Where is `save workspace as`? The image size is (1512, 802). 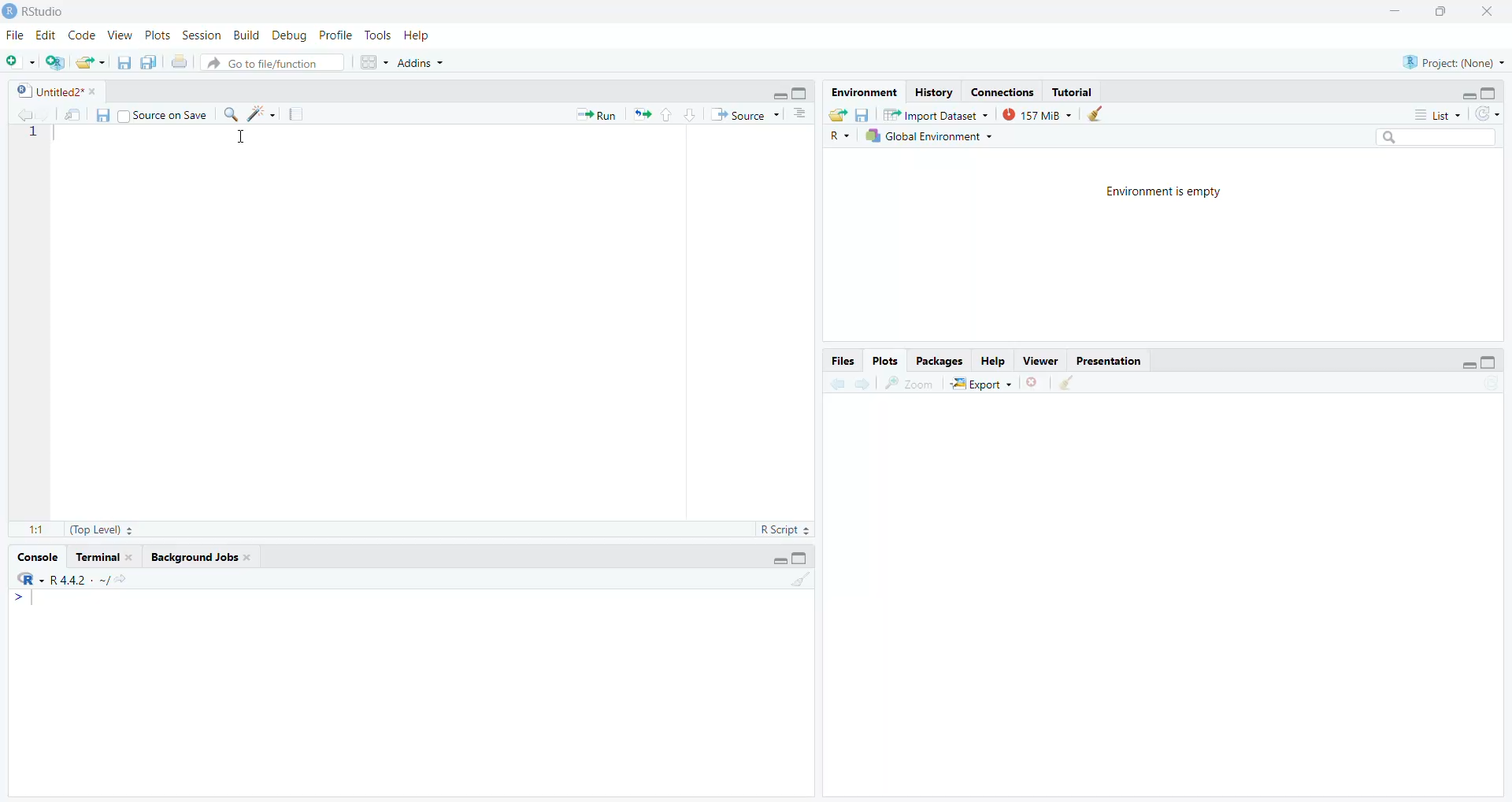 save workspace as is located at coordinates (862, 115).